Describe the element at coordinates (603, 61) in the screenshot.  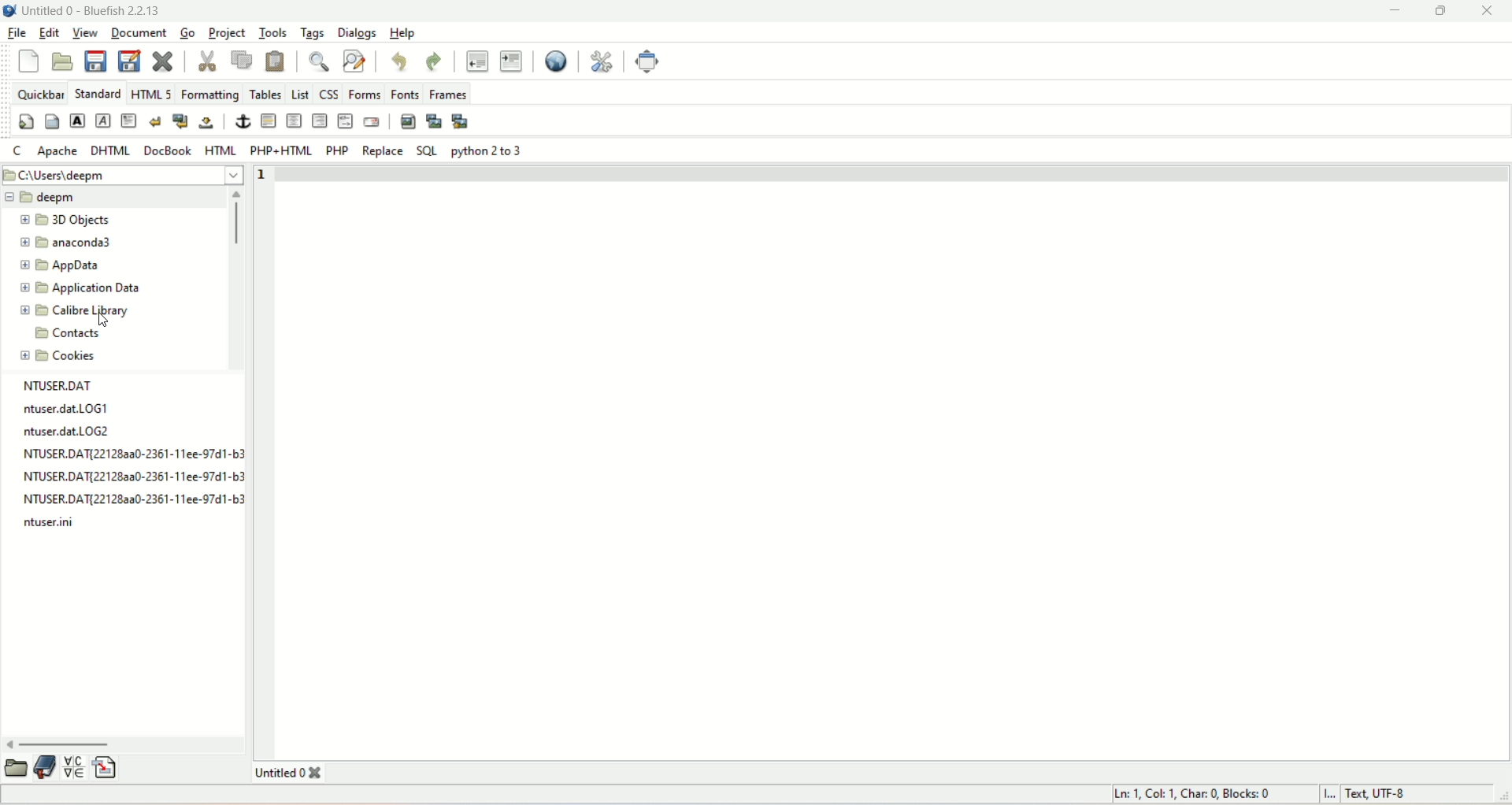
I see `edit preferences` at that location.